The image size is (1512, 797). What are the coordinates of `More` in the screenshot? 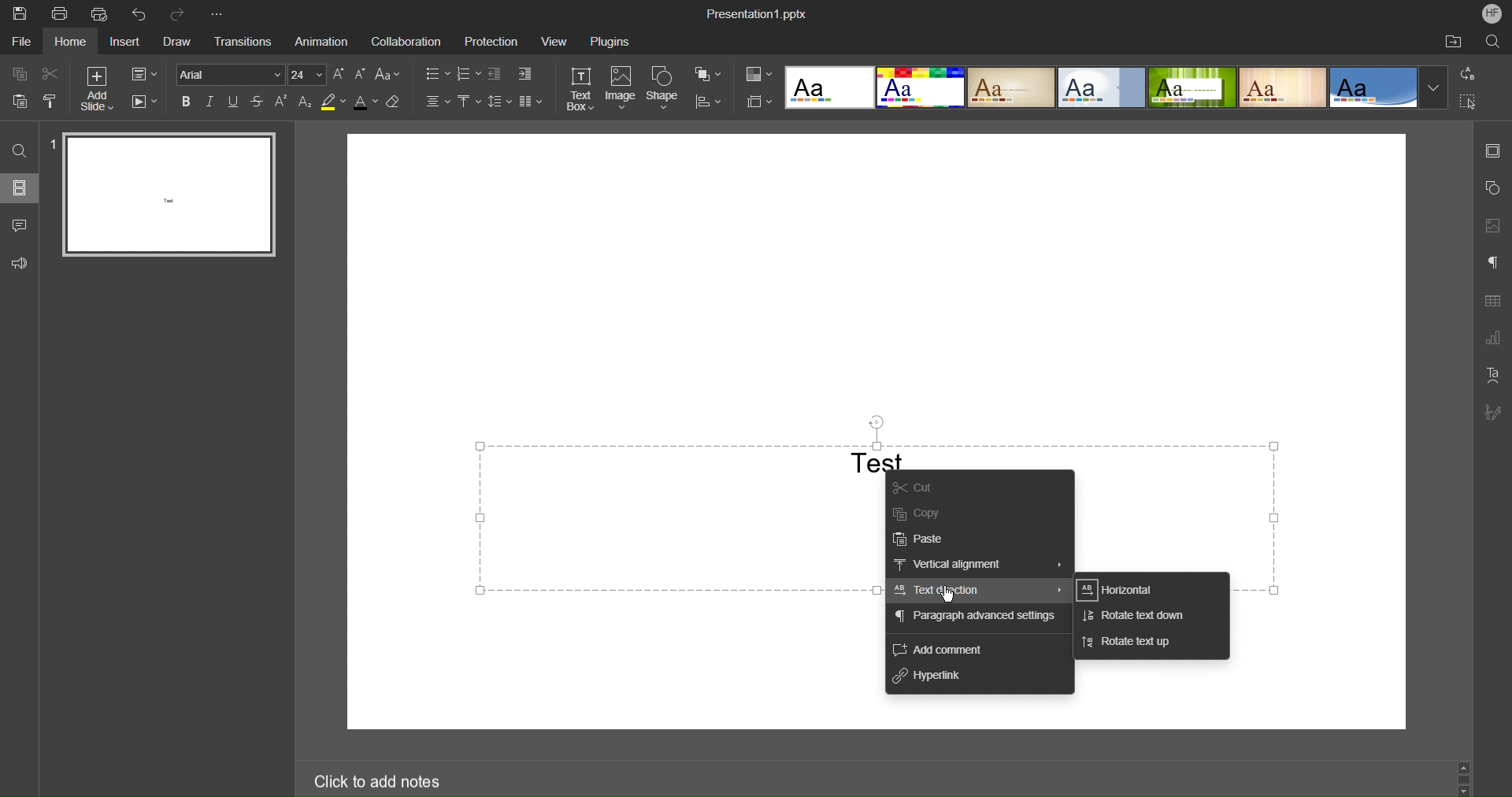 It's located at (221, 13).